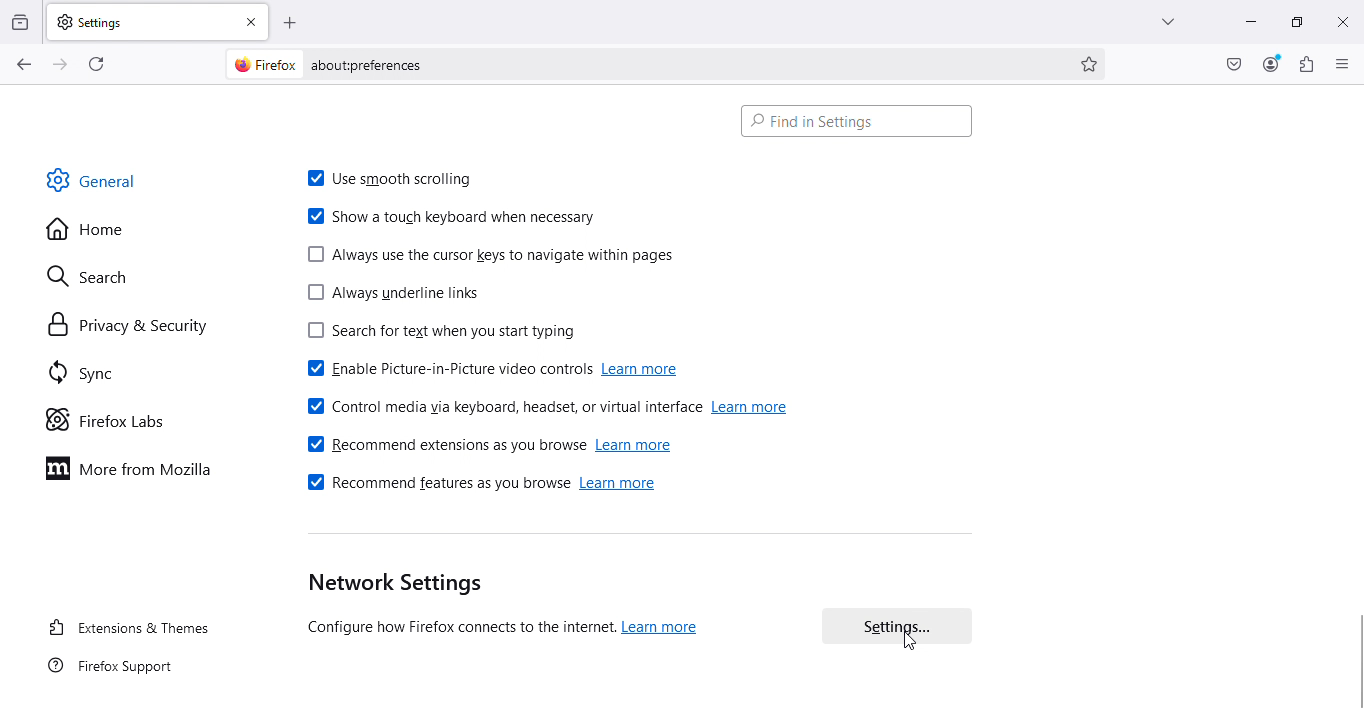  What do you see at coordinates (99, 273) in the screenshot?
I see `Search` at bounding box center [99, 273].